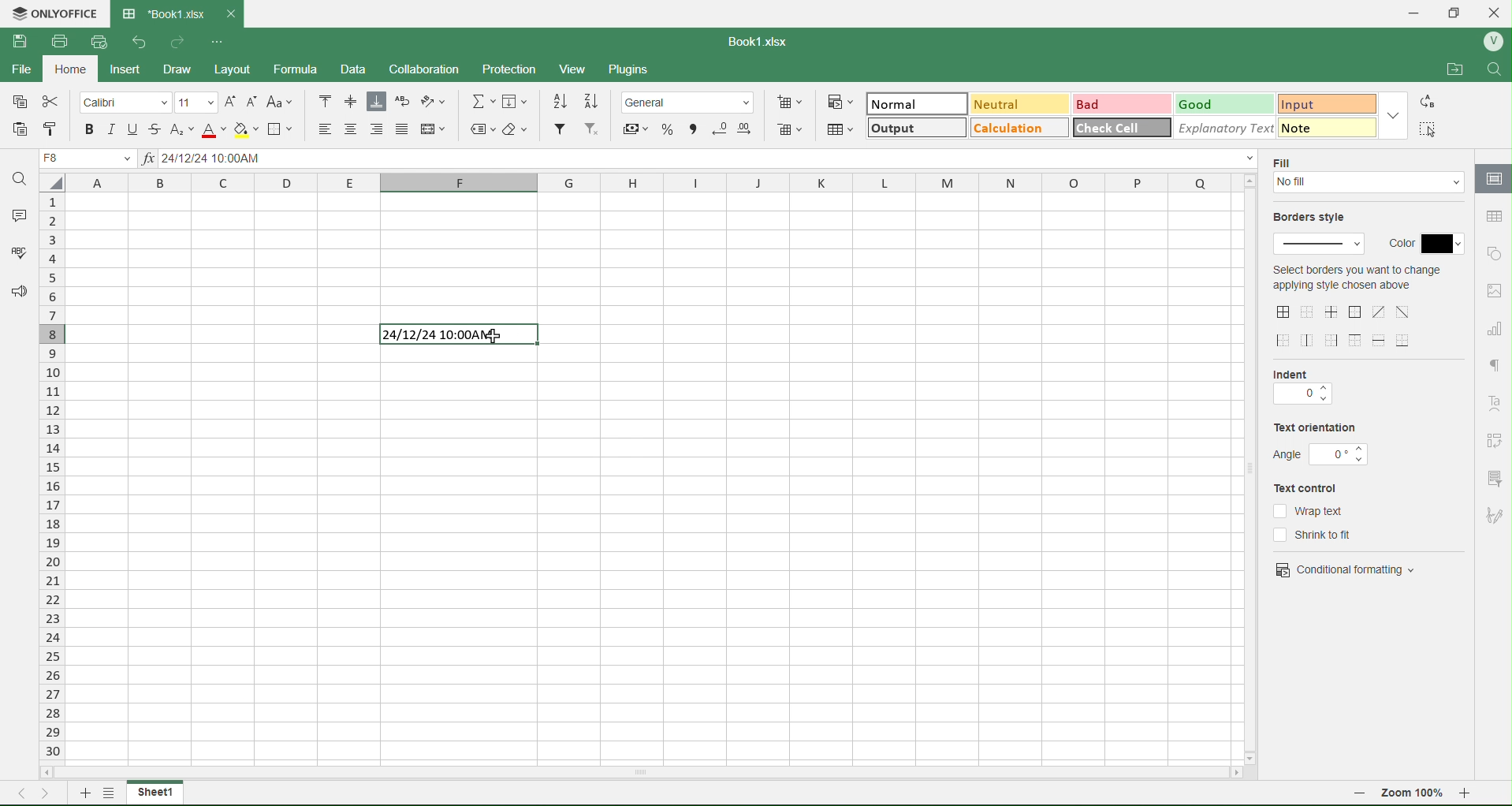 The height and width of the screenshot is (806, 1512). What do you see at coordinates (1309, 102) in the screenshot?
I see `input` at bounding box center [1309, 102].